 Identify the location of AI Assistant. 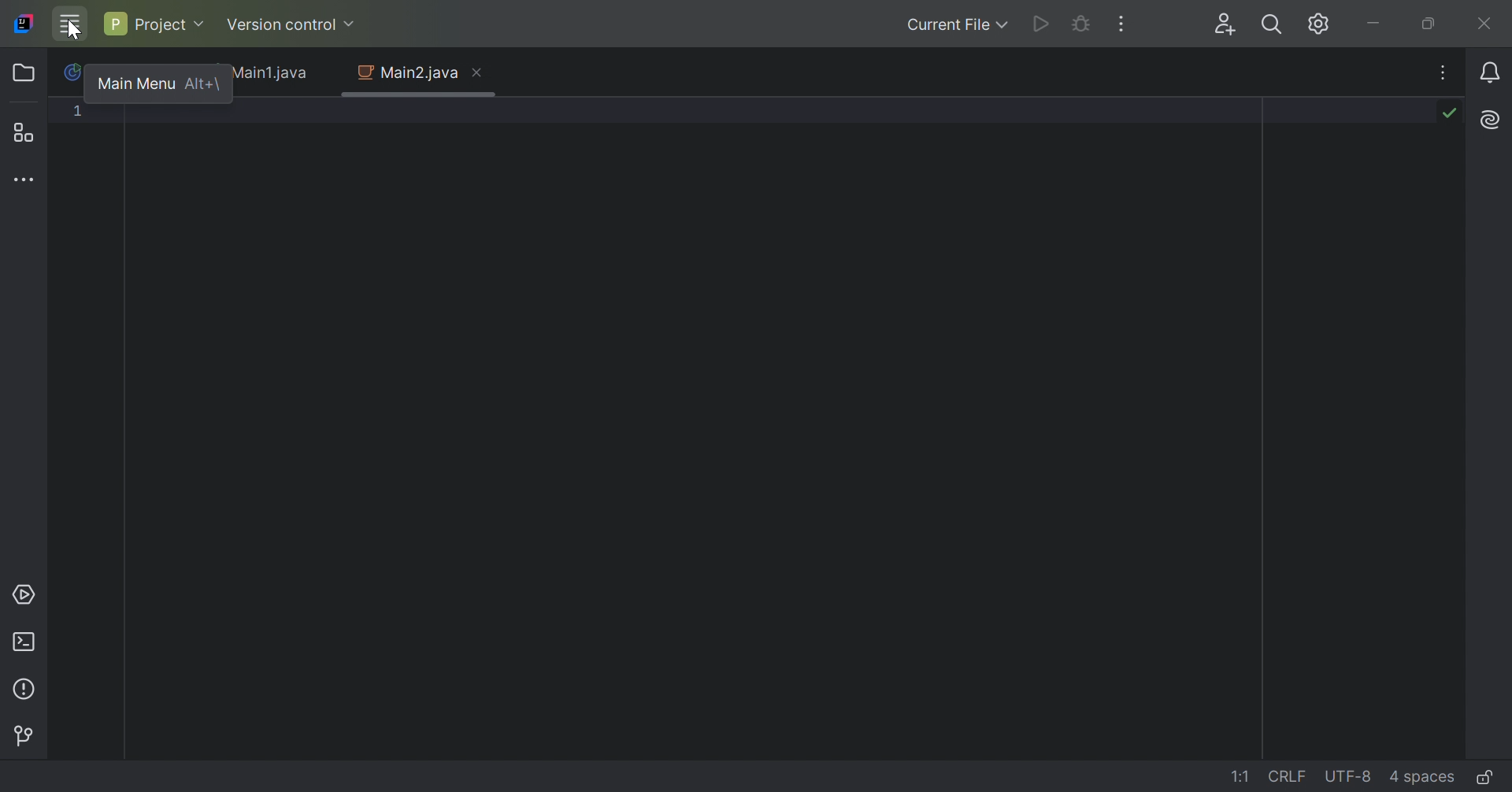
(1488, 120).